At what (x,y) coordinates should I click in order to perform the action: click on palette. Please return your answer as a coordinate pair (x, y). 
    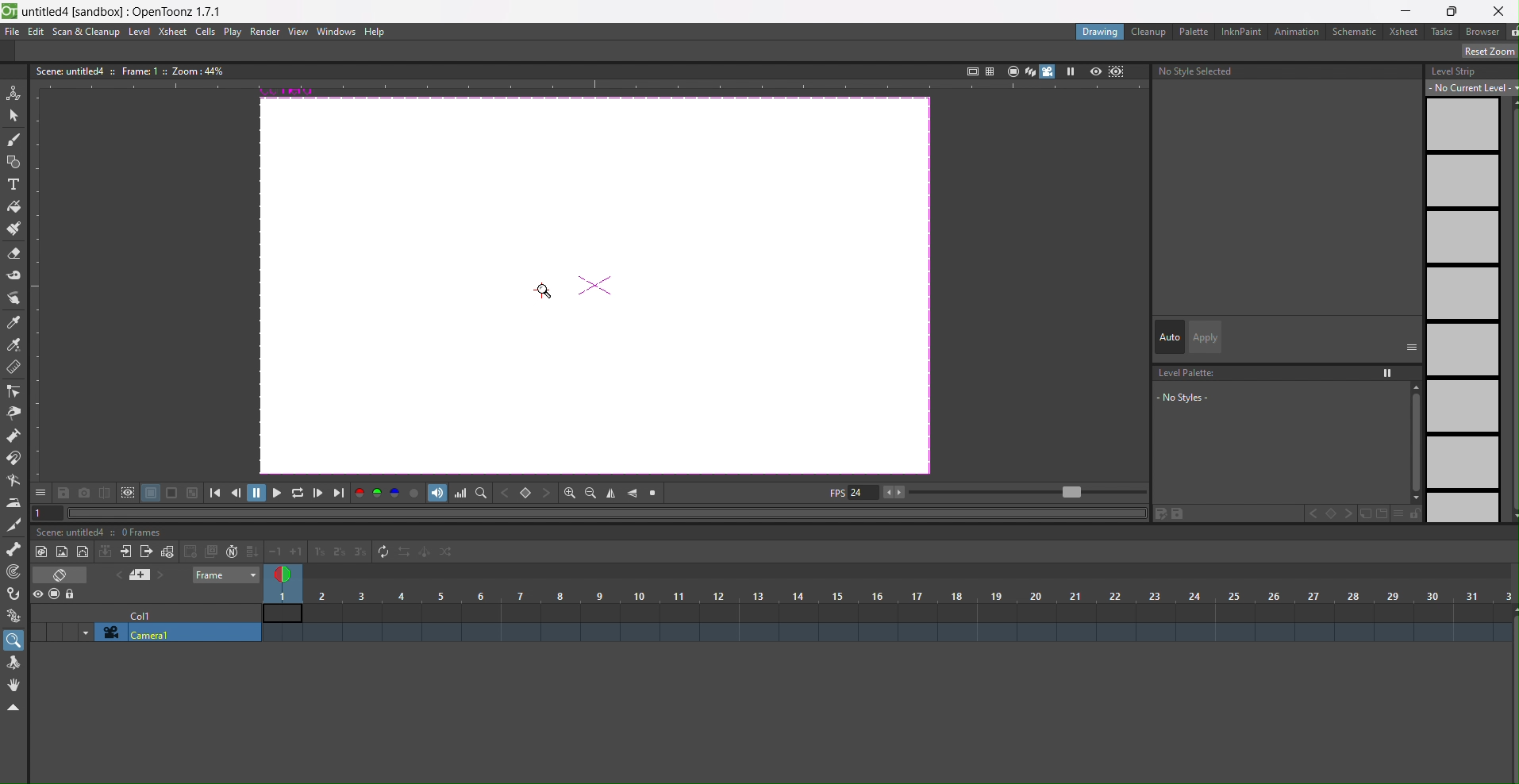
    Looking at the image, I should click on (1193, 31).